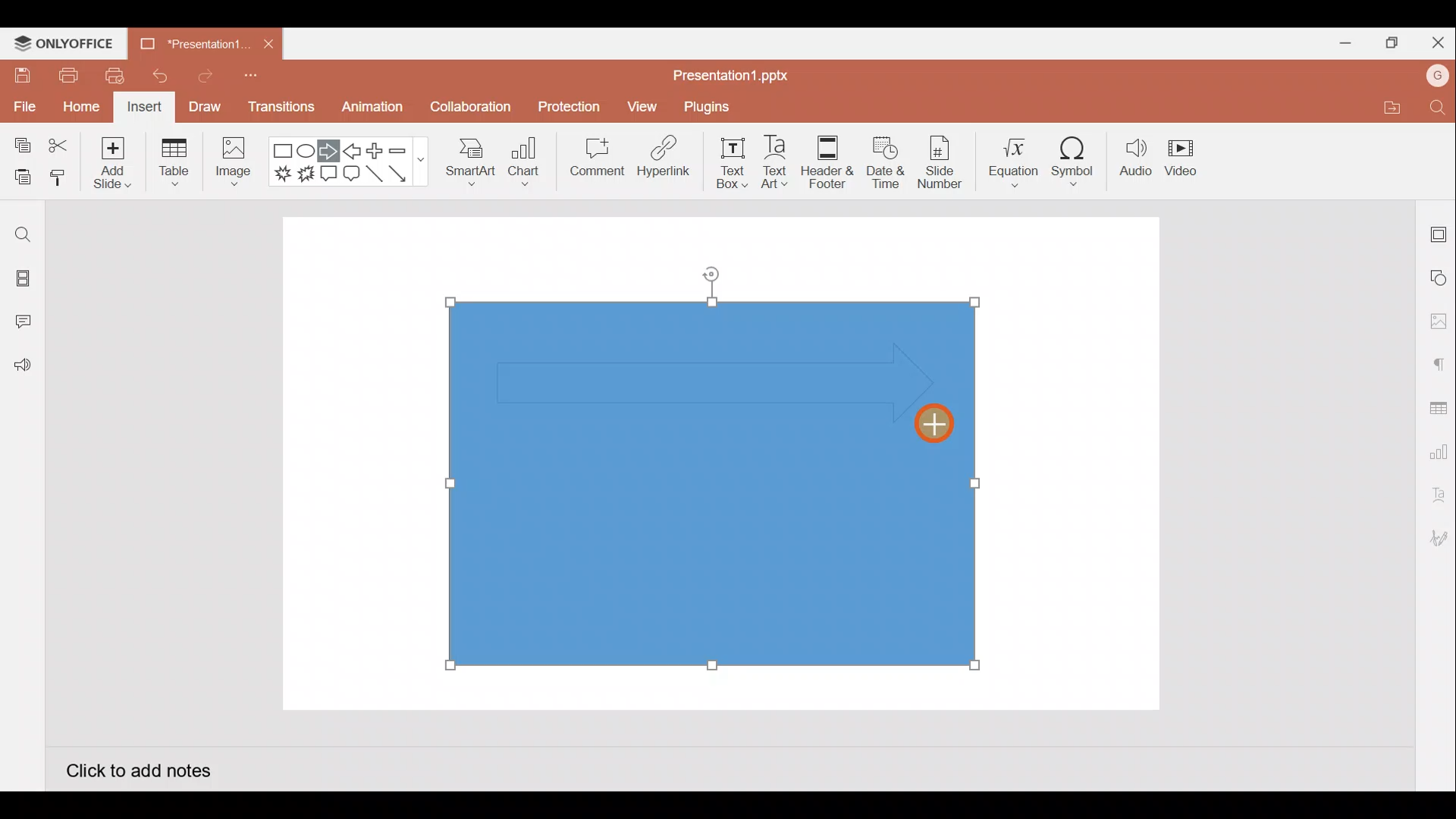 This screenshot has width=1456, height=819. Describe the element at coordinates (59, 146) in the screenshot. I see `Cut` at that location.